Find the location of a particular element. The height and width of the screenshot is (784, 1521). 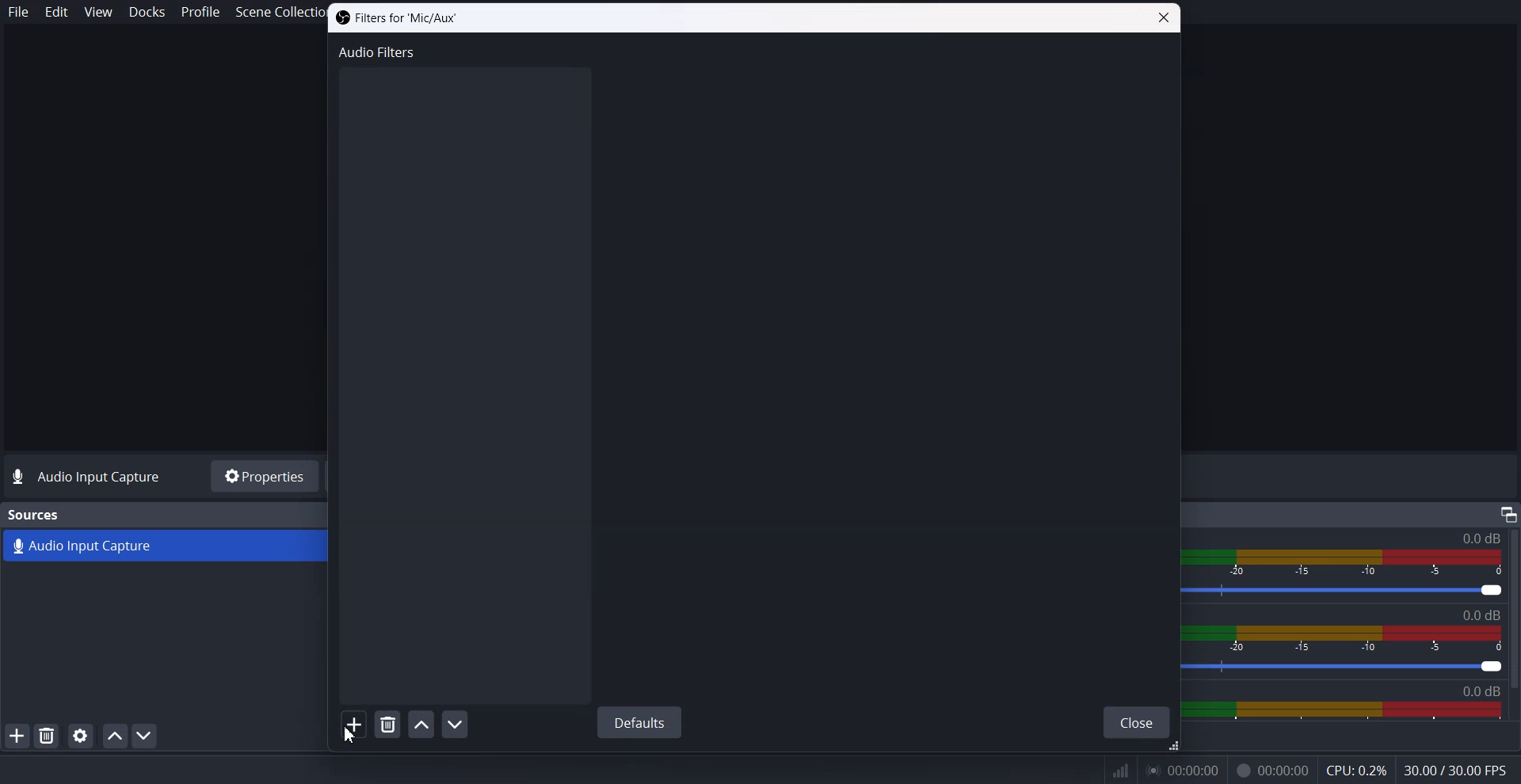

Move filter up is located at coordinates (421, 725).